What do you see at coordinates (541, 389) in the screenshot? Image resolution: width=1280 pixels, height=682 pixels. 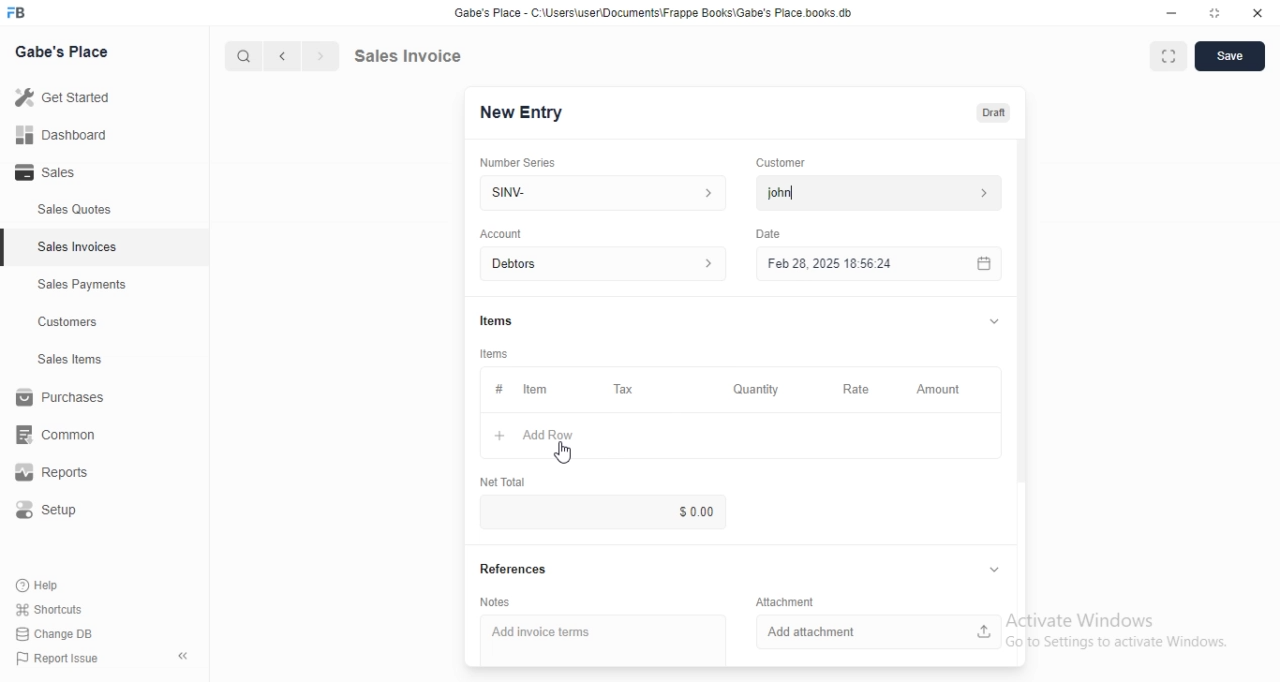 I see `tem` at bounding box center [541, 389].